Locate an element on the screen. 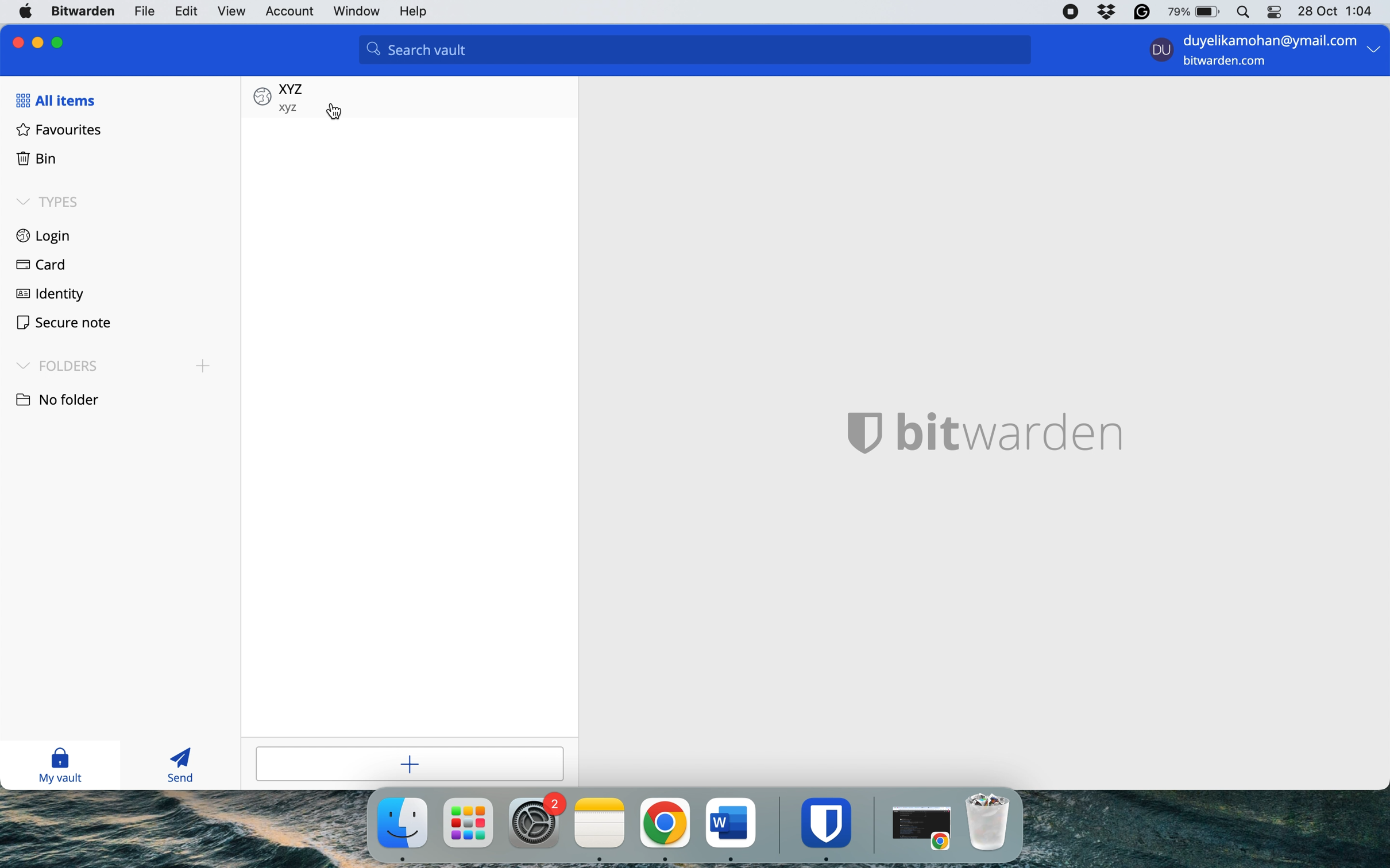 The height and width of the screenshot is (868, 1390). all items is located at coordinates (55, 100).